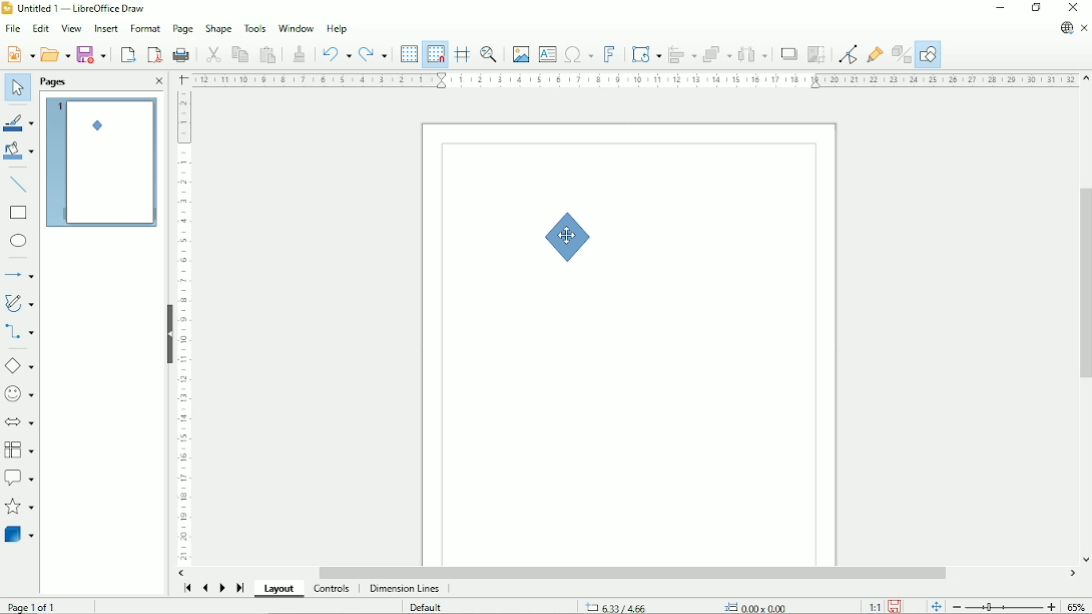 The width and height of the screenshot is (1092, 614). What do you see at coordinates (301, 53) in the screenshot?
I see `Clone formatting` at bounding box center [301, 53].